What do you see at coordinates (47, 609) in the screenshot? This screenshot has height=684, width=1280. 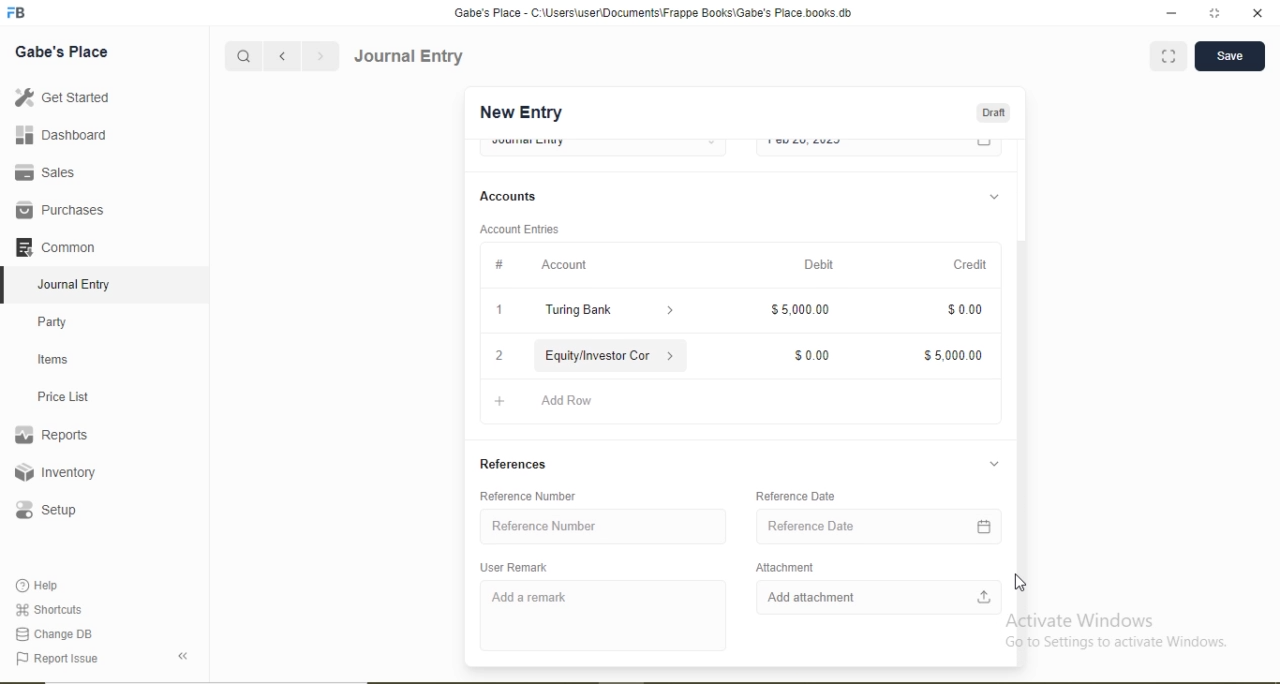 I see `Shortcuts` at bounding box center [47, 609].